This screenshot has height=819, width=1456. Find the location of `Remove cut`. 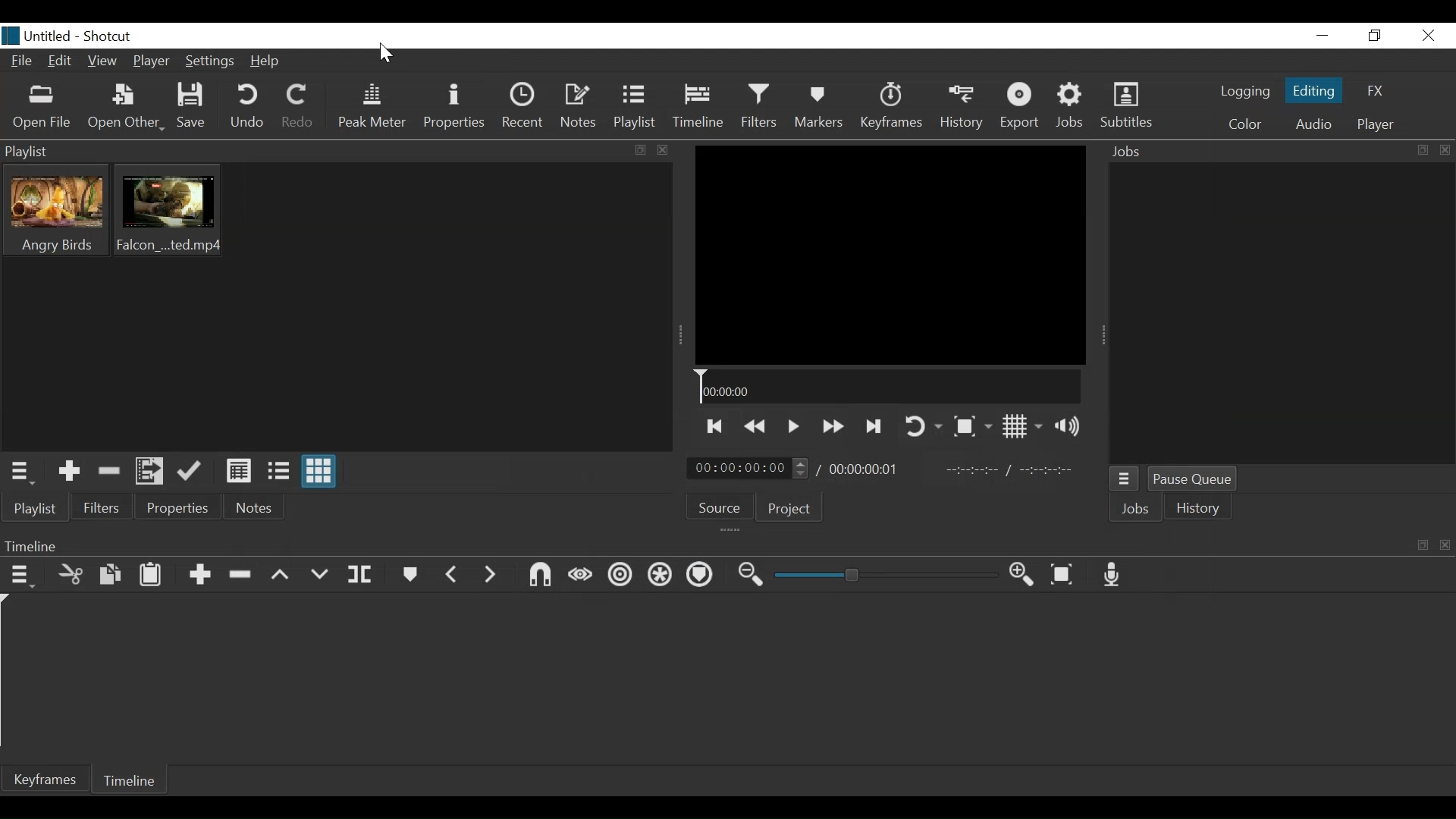

Remove cut is located at coordinates (108, 470).